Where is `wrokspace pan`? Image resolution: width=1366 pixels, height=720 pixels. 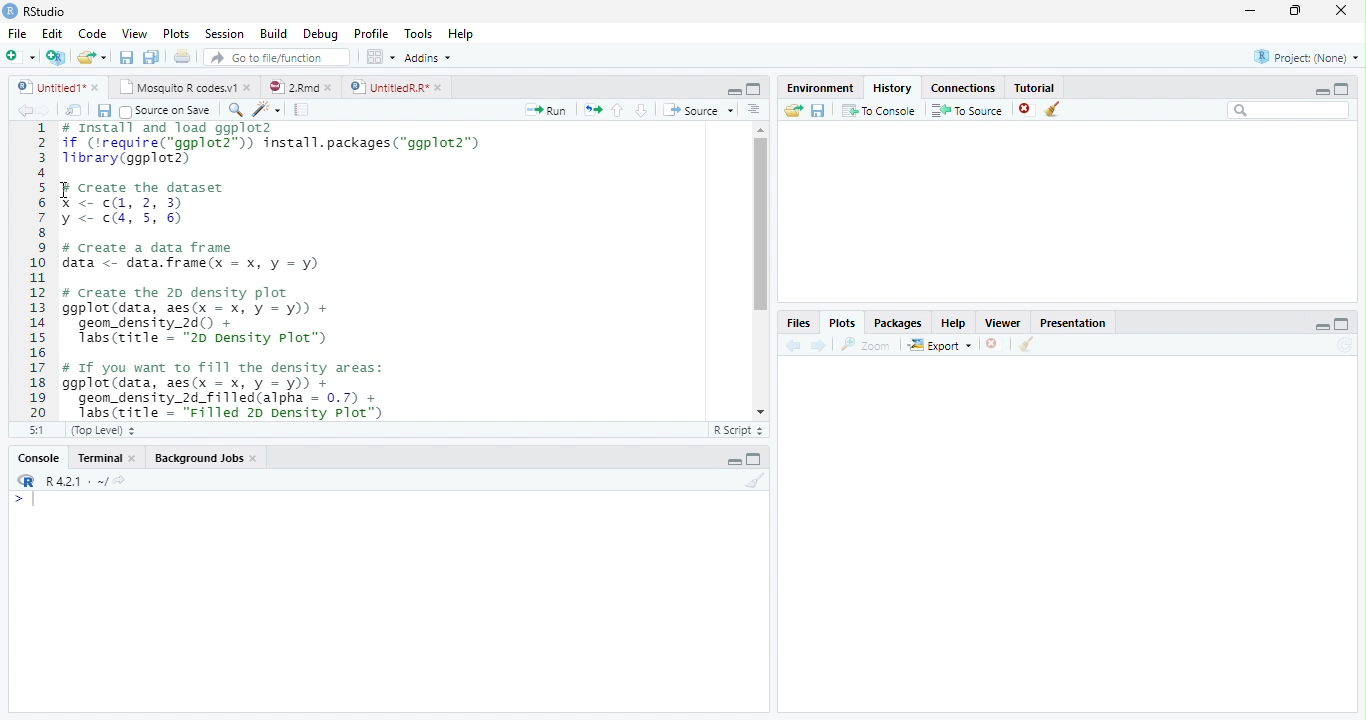 wrokspace pan is located at coordinates (379, 57).